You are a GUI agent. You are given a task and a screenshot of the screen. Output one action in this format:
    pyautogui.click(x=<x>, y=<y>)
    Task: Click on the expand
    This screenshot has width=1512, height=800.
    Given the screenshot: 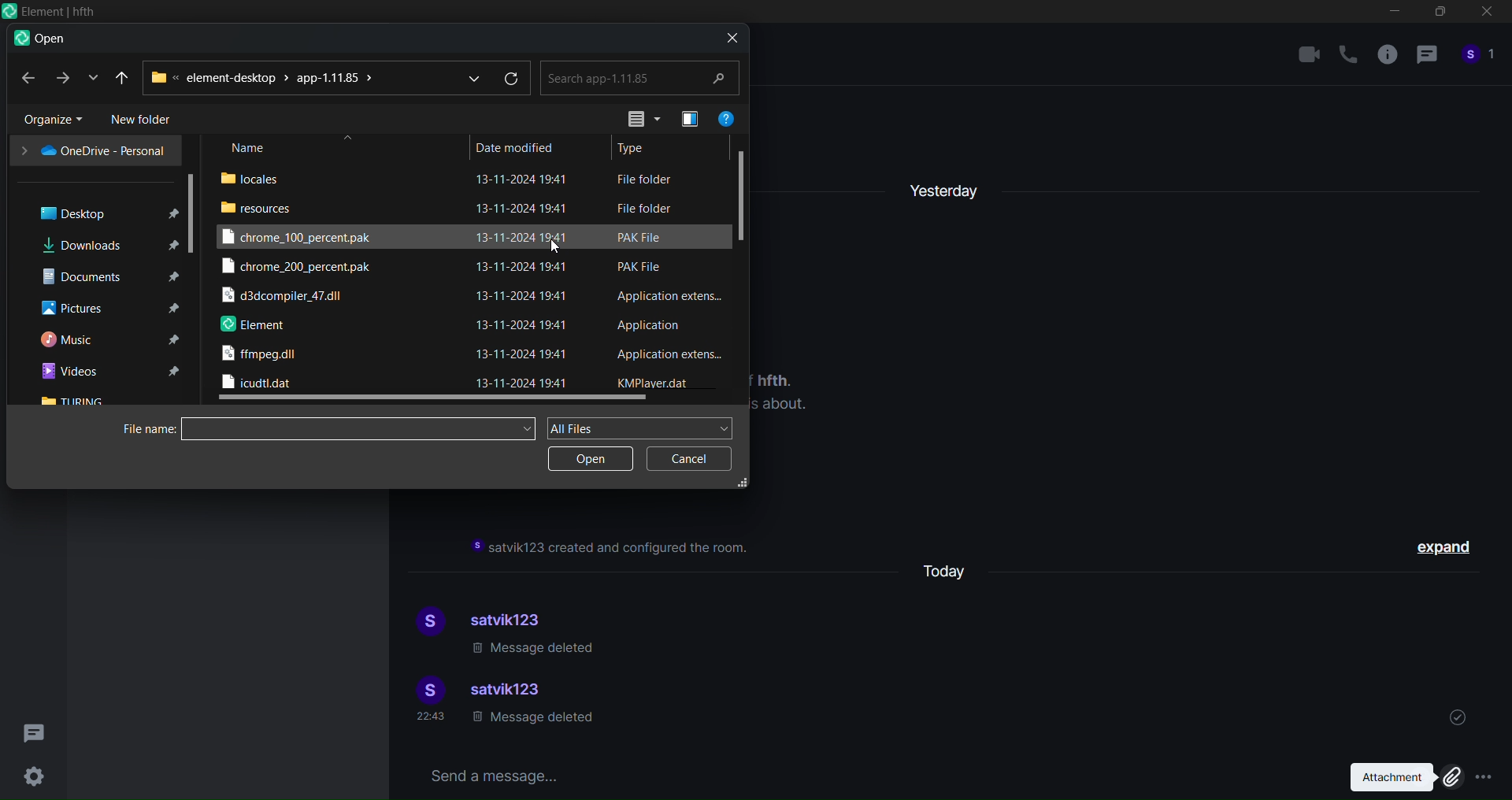 What is the action you would take?
    pyautogui.click(x=1447, y=550)
    